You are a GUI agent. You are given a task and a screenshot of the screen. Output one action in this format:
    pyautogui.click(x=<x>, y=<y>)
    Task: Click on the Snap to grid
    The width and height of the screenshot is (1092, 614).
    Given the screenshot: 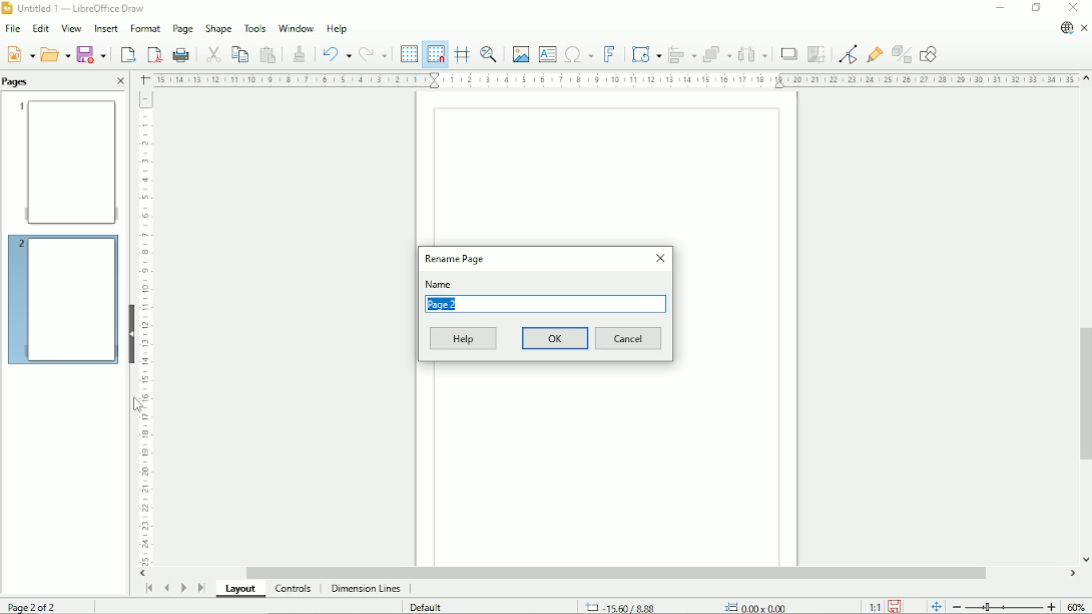 What is the action you would take?
    pyautogui.click(x=434, y=54)
    